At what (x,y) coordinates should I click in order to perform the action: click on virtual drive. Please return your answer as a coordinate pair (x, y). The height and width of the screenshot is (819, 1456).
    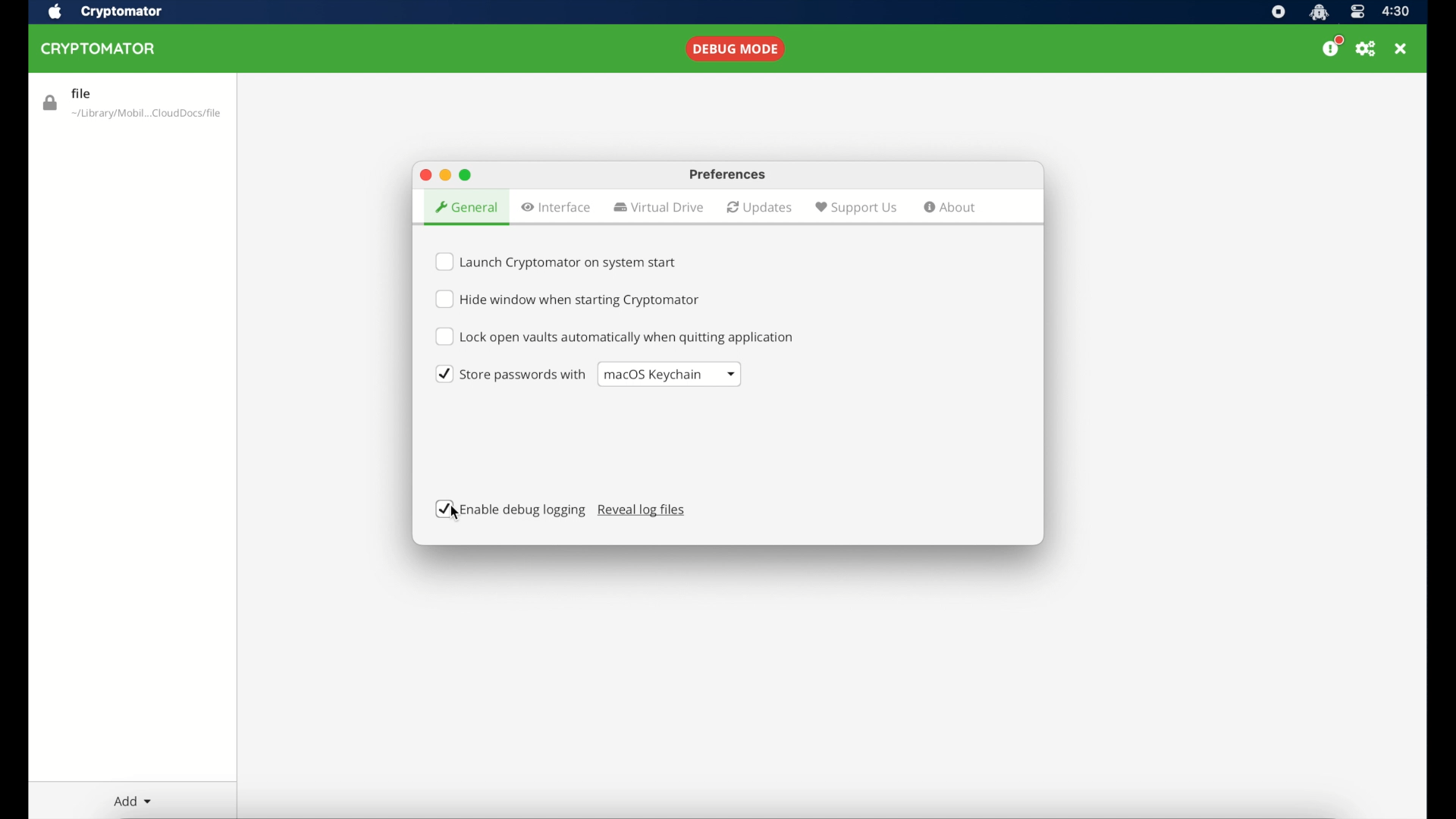
    Looking at the image, I should click on (658, 207).